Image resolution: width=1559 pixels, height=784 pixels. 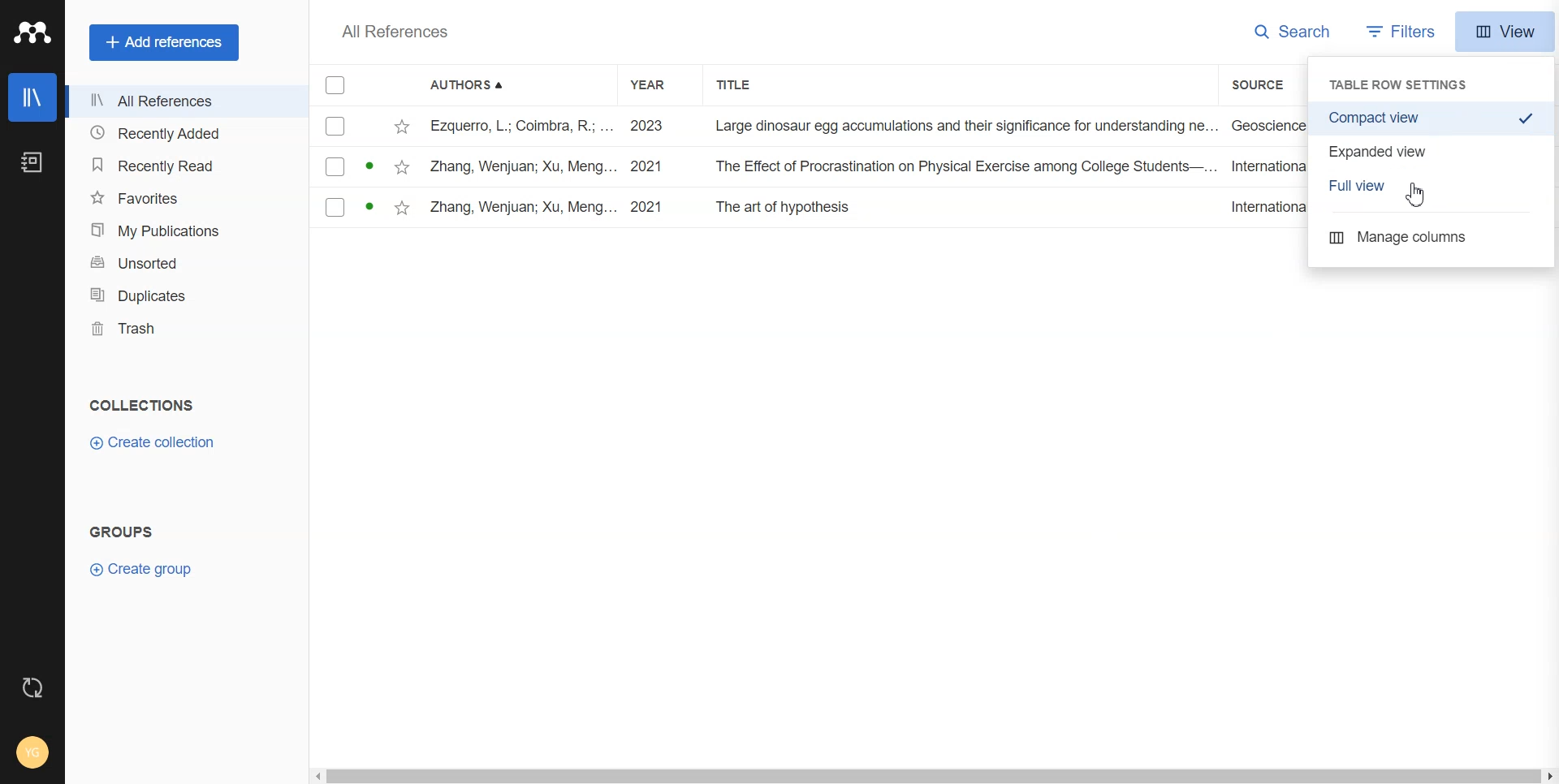 I want to click on My Publication, so click(x=172, y=231).